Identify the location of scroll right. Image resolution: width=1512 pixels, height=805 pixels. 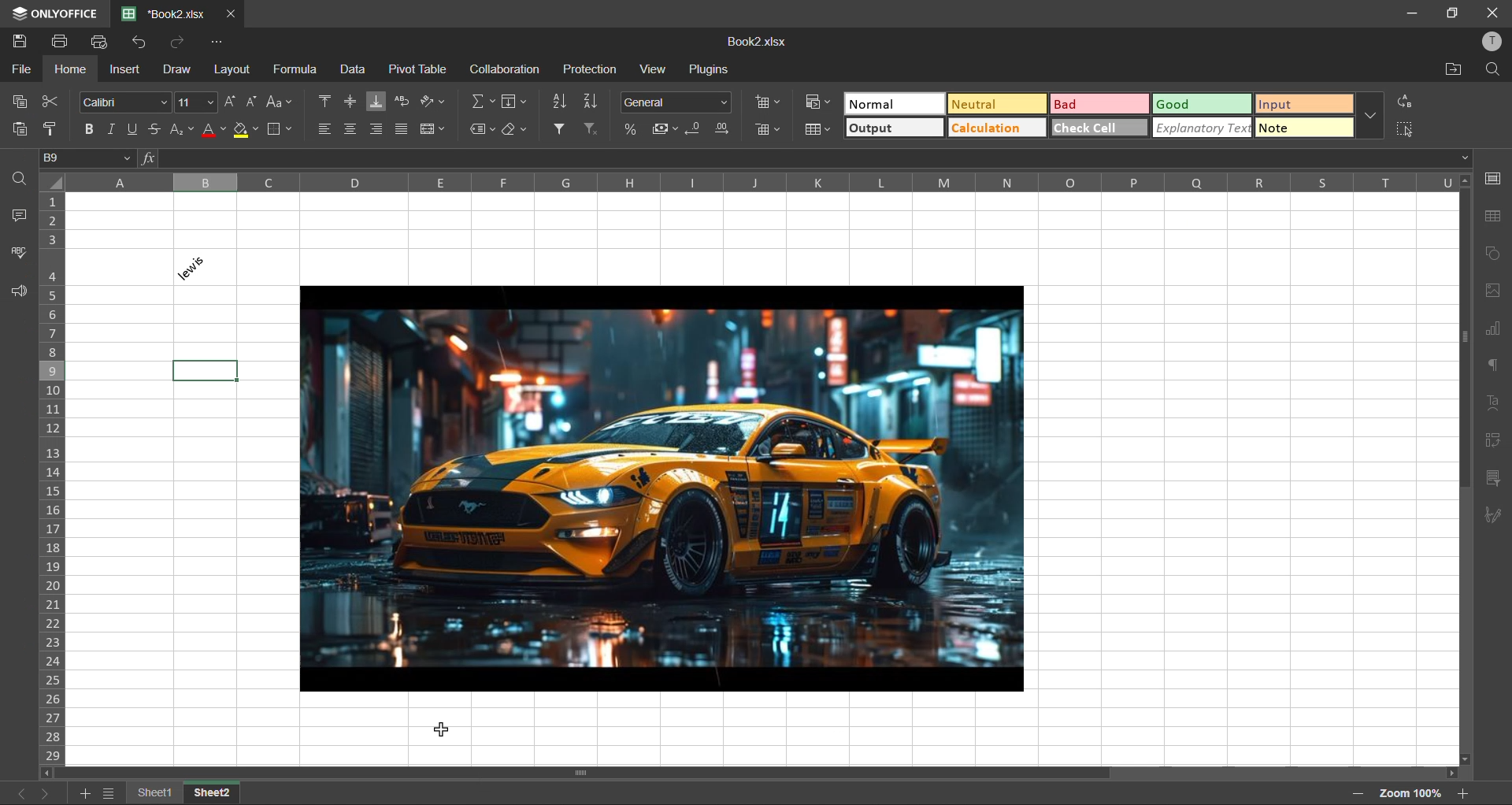
(1447, 773).